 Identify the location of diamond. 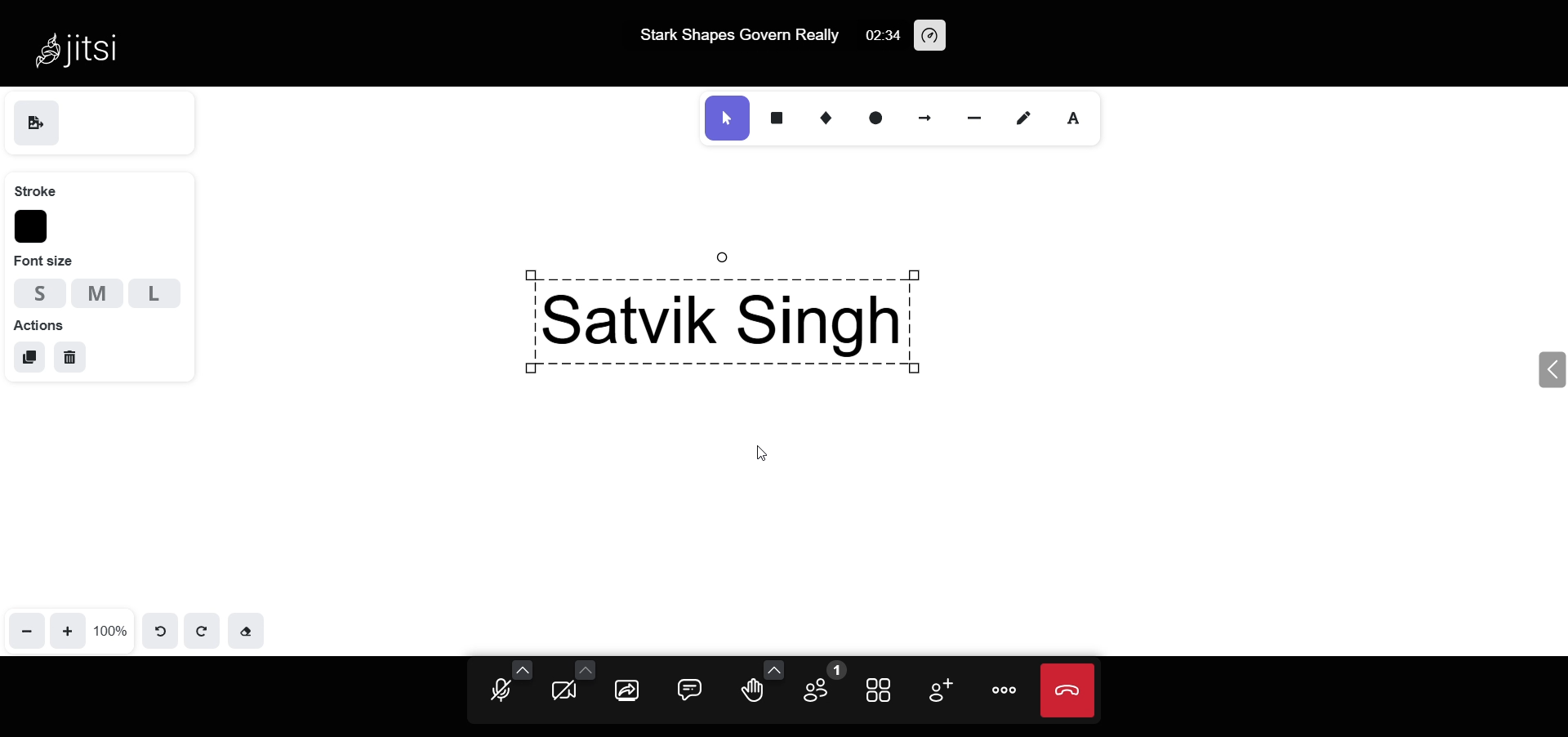
(830, 118).